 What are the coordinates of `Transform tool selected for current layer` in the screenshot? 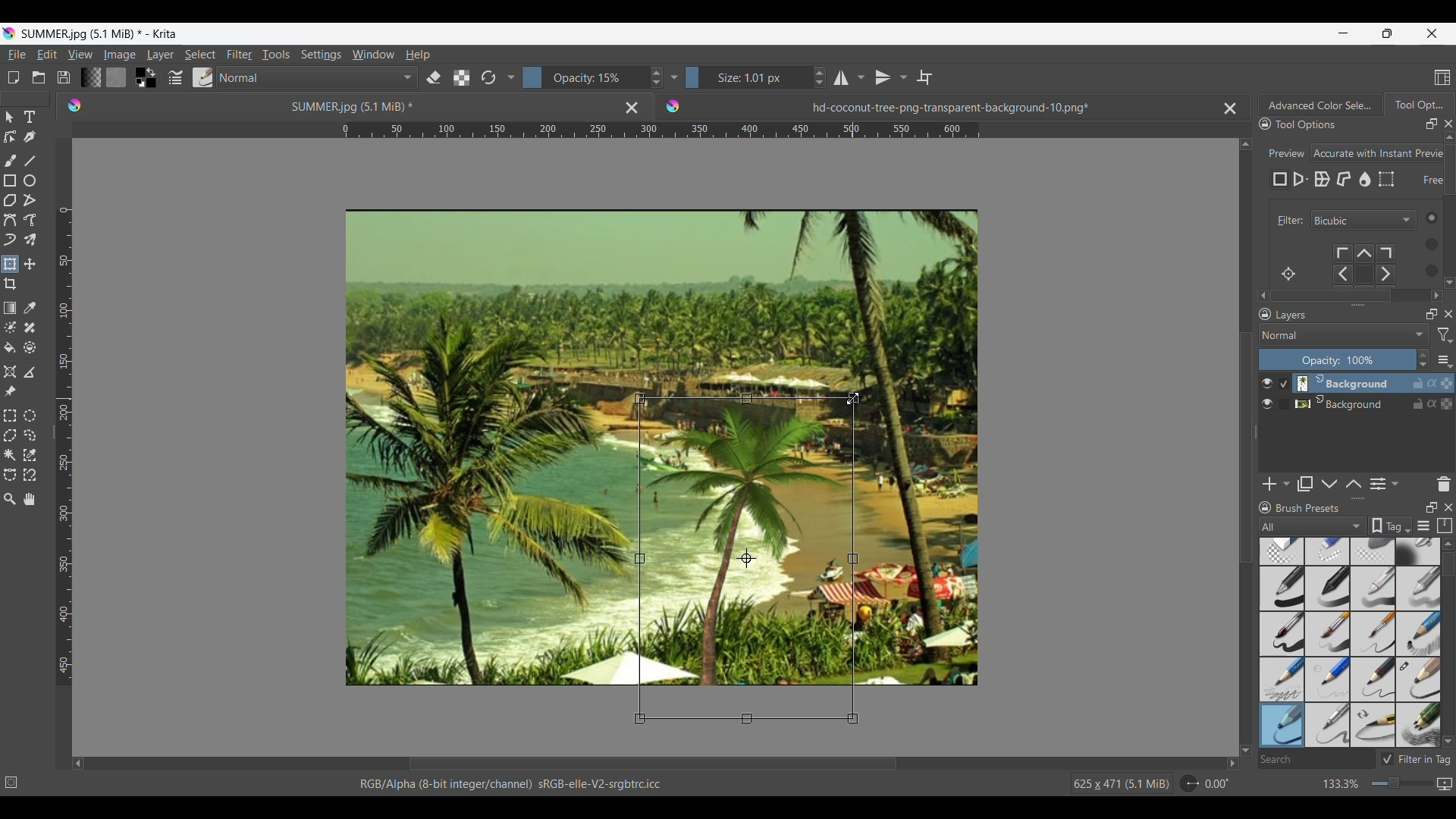 It's located at (745, 557).